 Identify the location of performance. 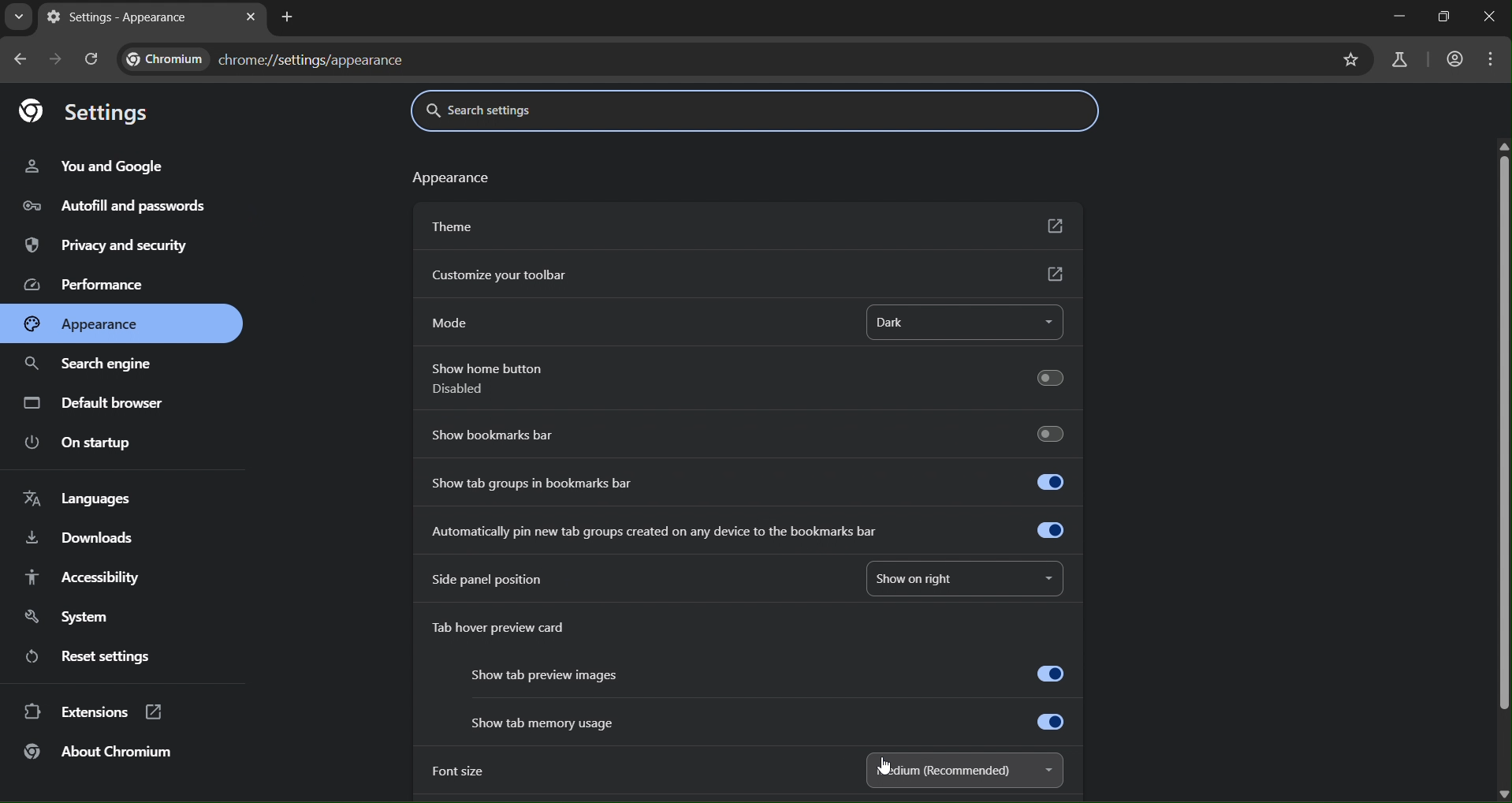
(84, 283).